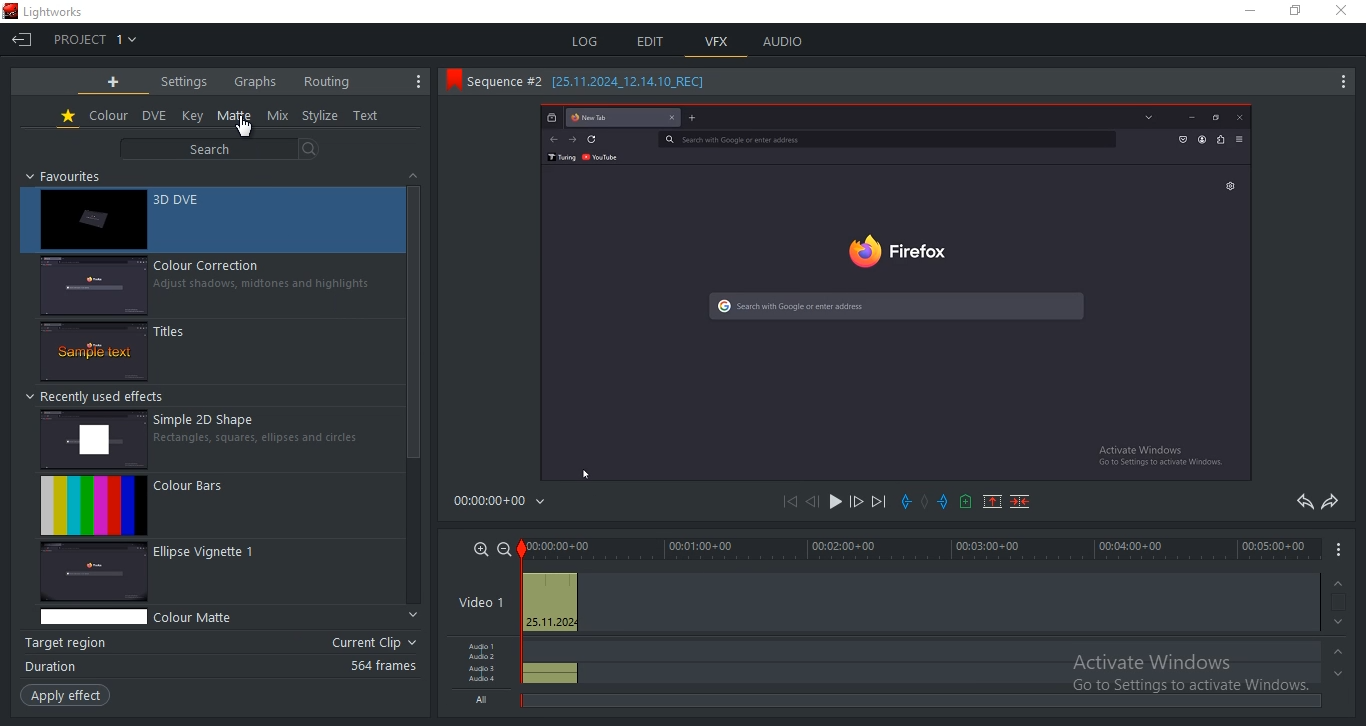  I want to click on previous, so click(794, 503).